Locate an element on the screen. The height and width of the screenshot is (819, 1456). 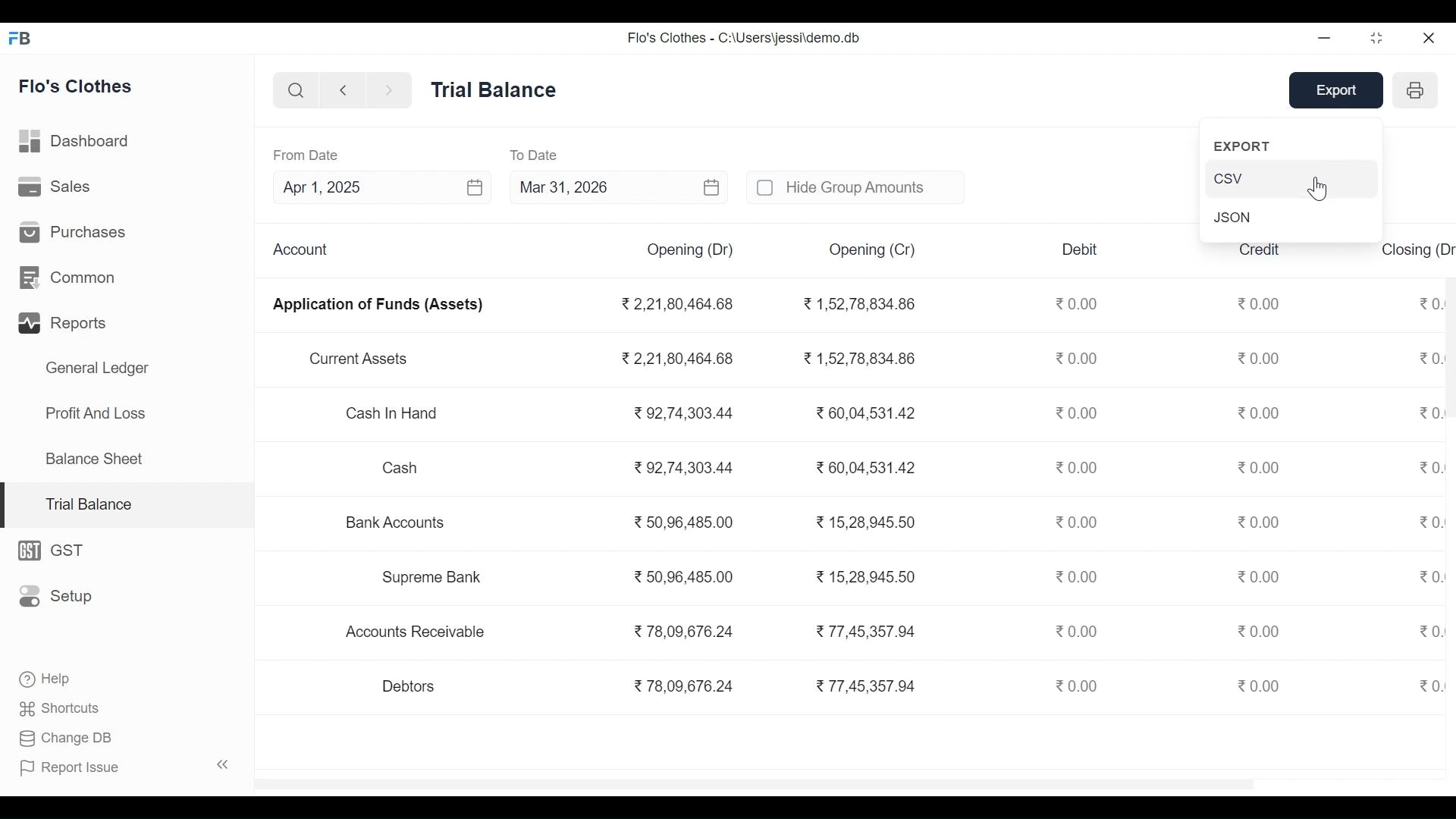
Close is located at coordinates (1427, 37).